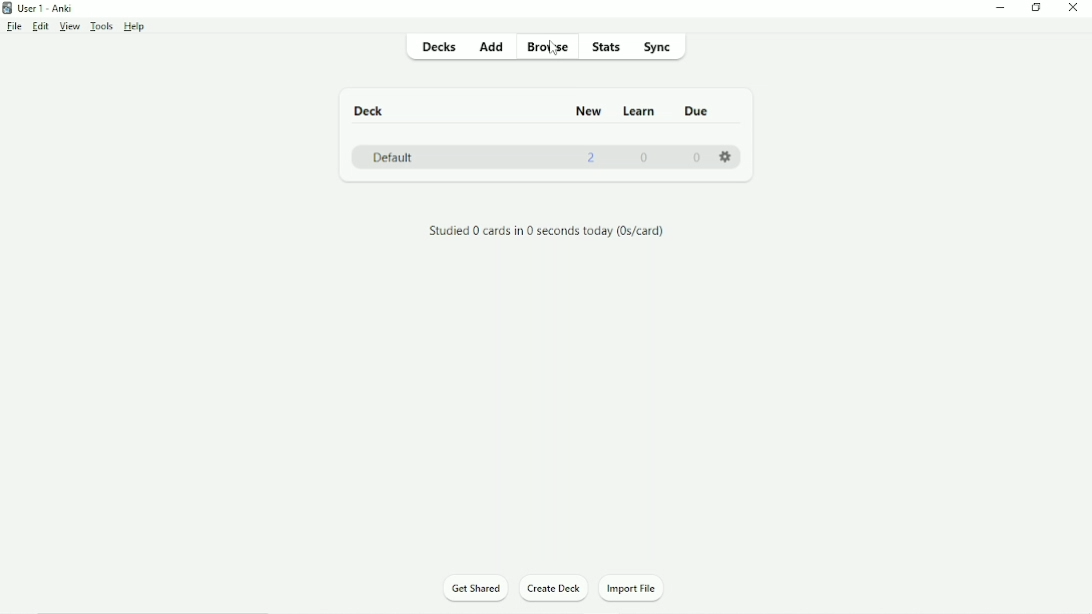 Image resolution: width=1092 pixels, height=614 pixels. What do you see at coordinates (439, 48) in the screenshot?
I see `Decks` at bounding box center [439, 48].